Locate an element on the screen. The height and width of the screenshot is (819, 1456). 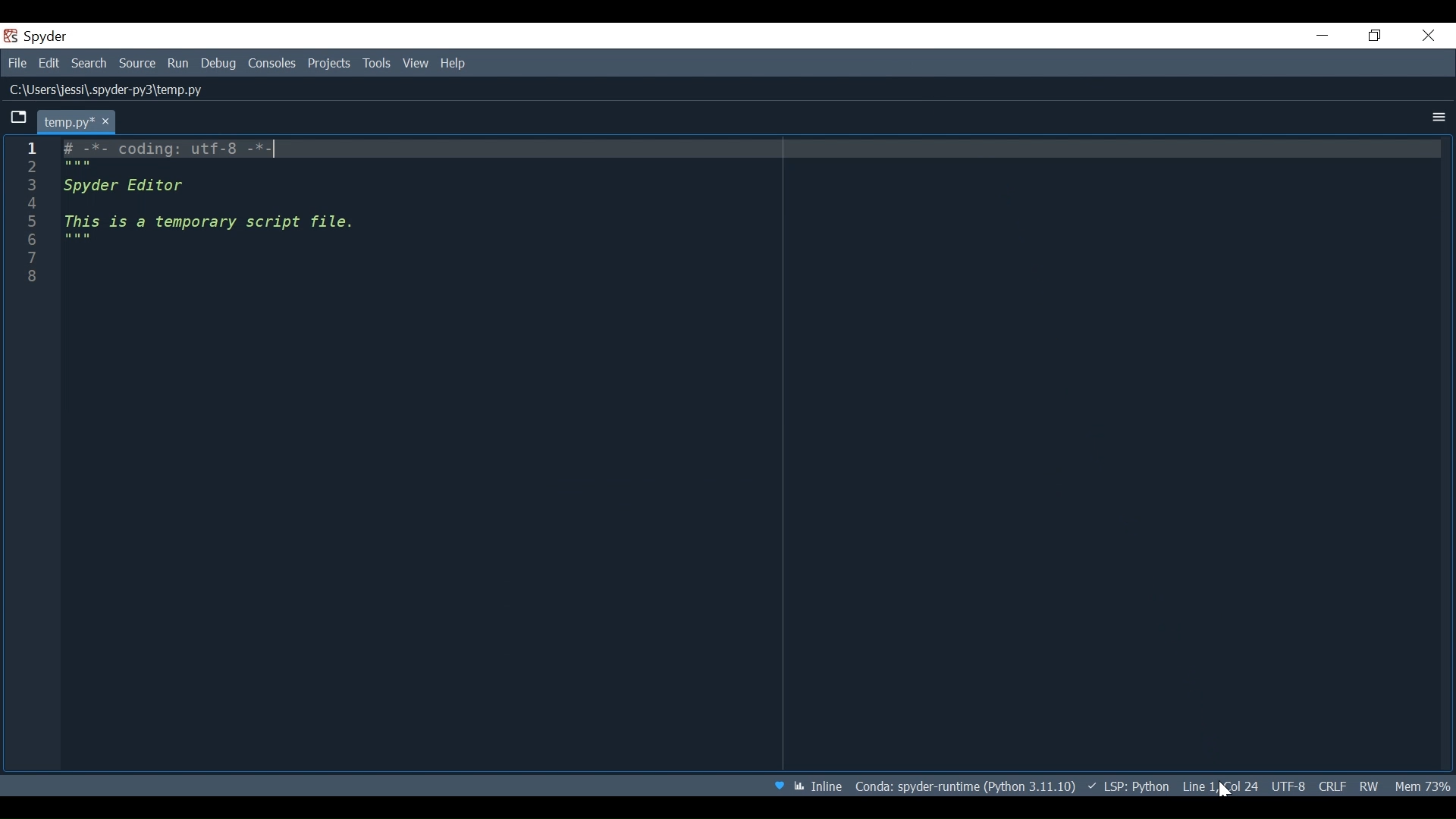
Debug is located at coordinates (219, 63).